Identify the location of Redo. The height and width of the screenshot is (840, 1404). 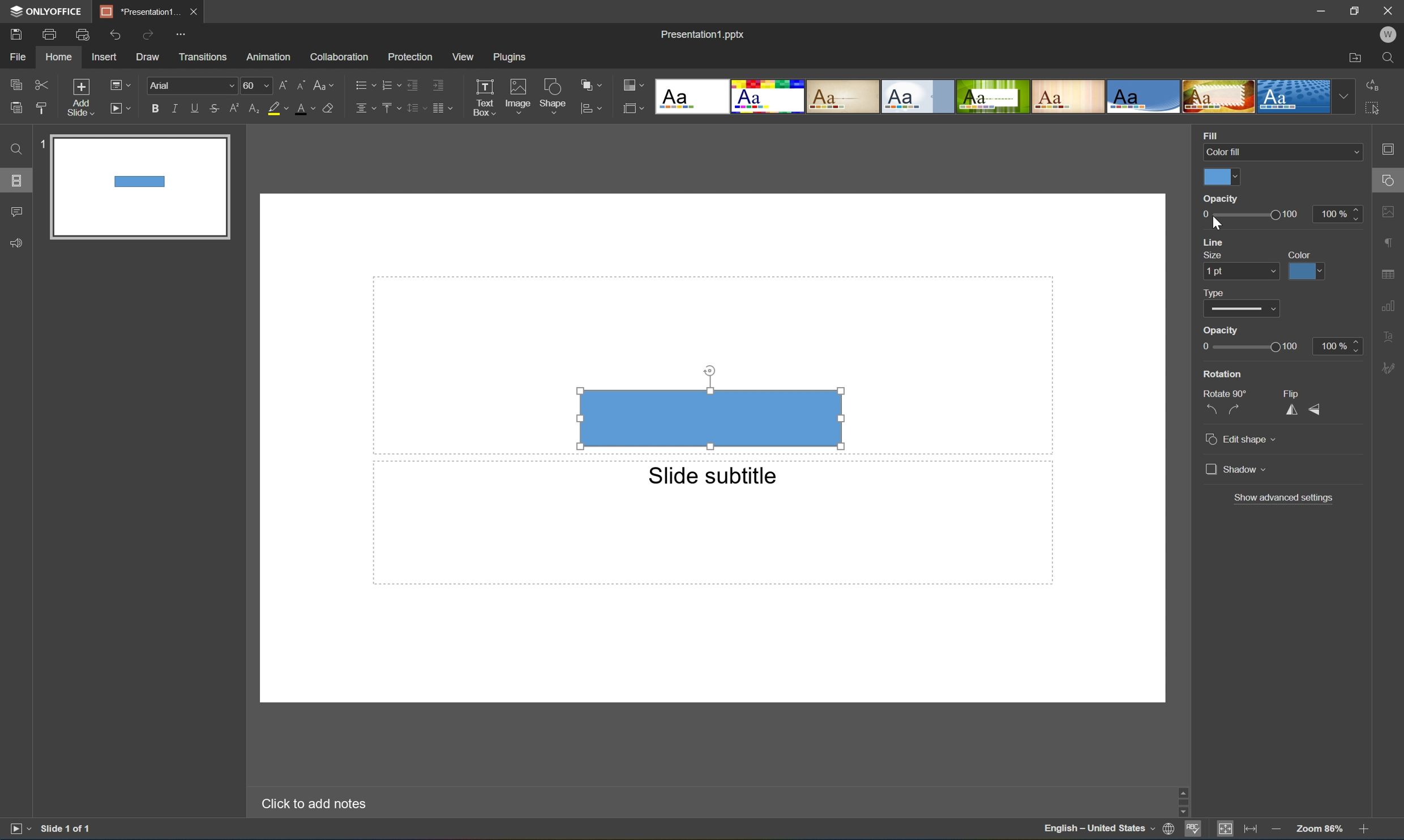
(148, 33).